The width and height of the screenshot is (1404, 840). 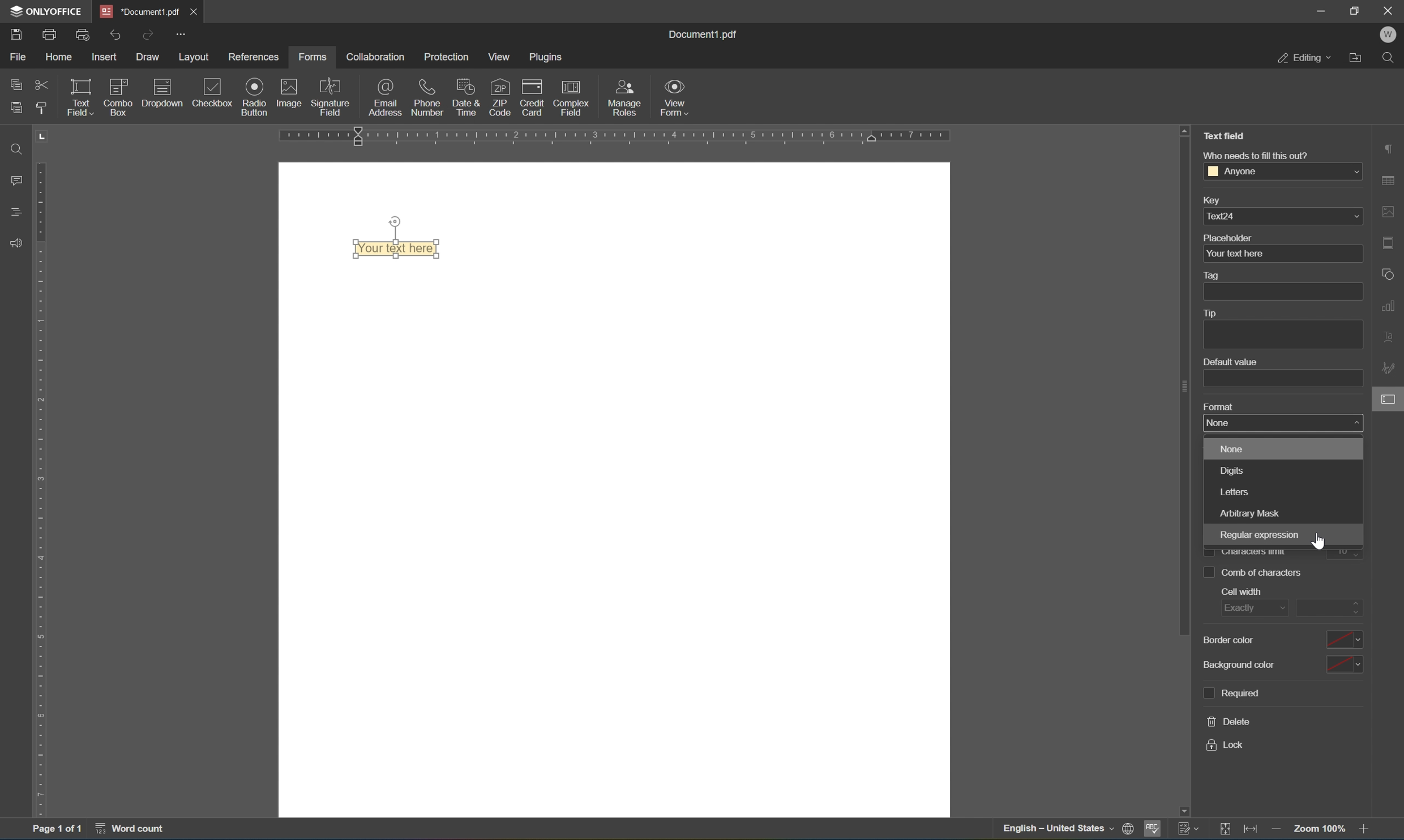 I want to click on rotate, so click(x=395, y=221).